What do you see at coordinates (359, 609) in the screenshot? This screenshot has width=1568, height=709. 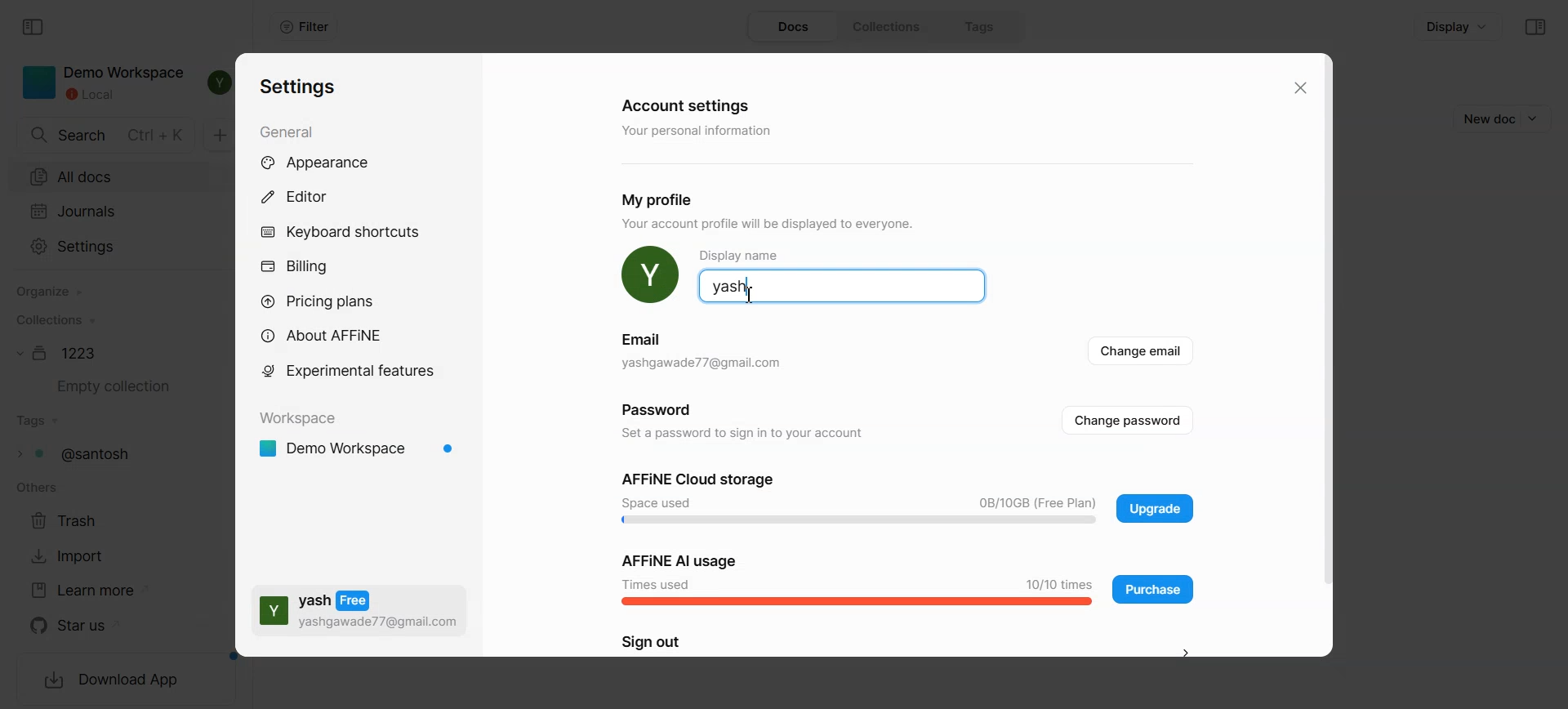 I see `Yash Free ` at bounding box center [359, 609].